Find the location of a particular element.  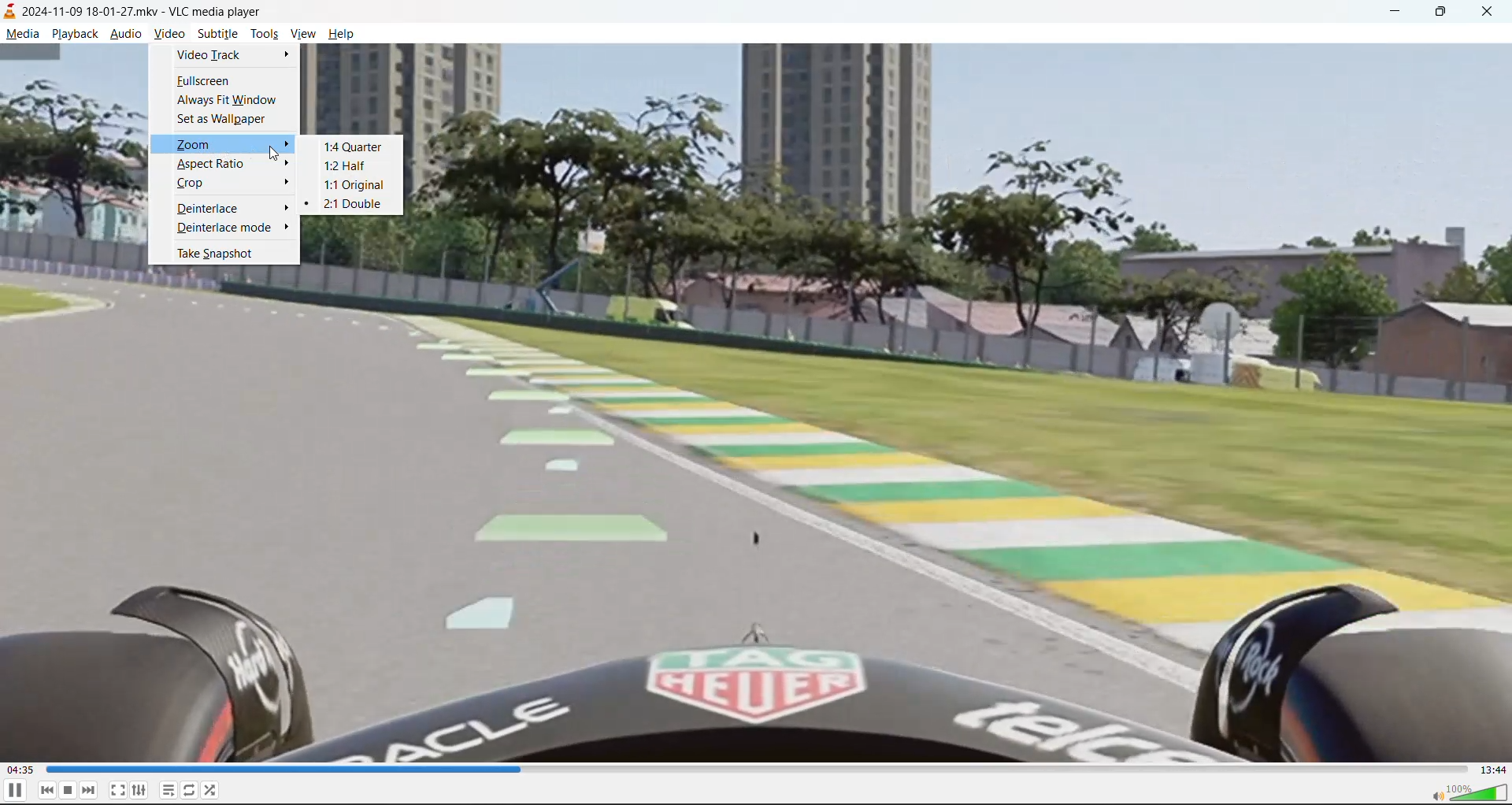

next is located at coordinates (89, 790).